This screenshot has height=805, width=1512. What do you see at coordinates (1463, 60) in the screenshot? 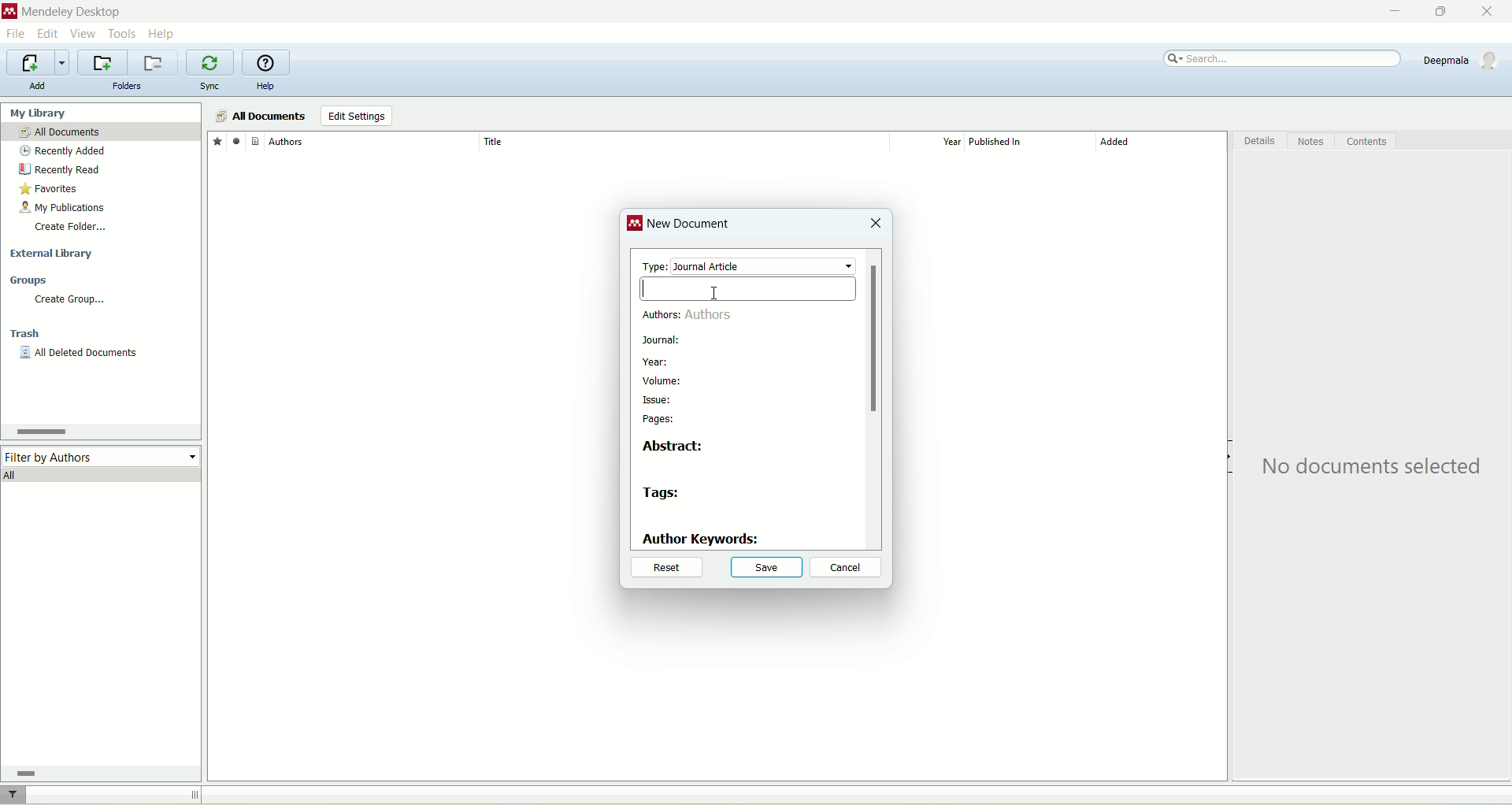
I see `account` at bounding box center [1463, 60].